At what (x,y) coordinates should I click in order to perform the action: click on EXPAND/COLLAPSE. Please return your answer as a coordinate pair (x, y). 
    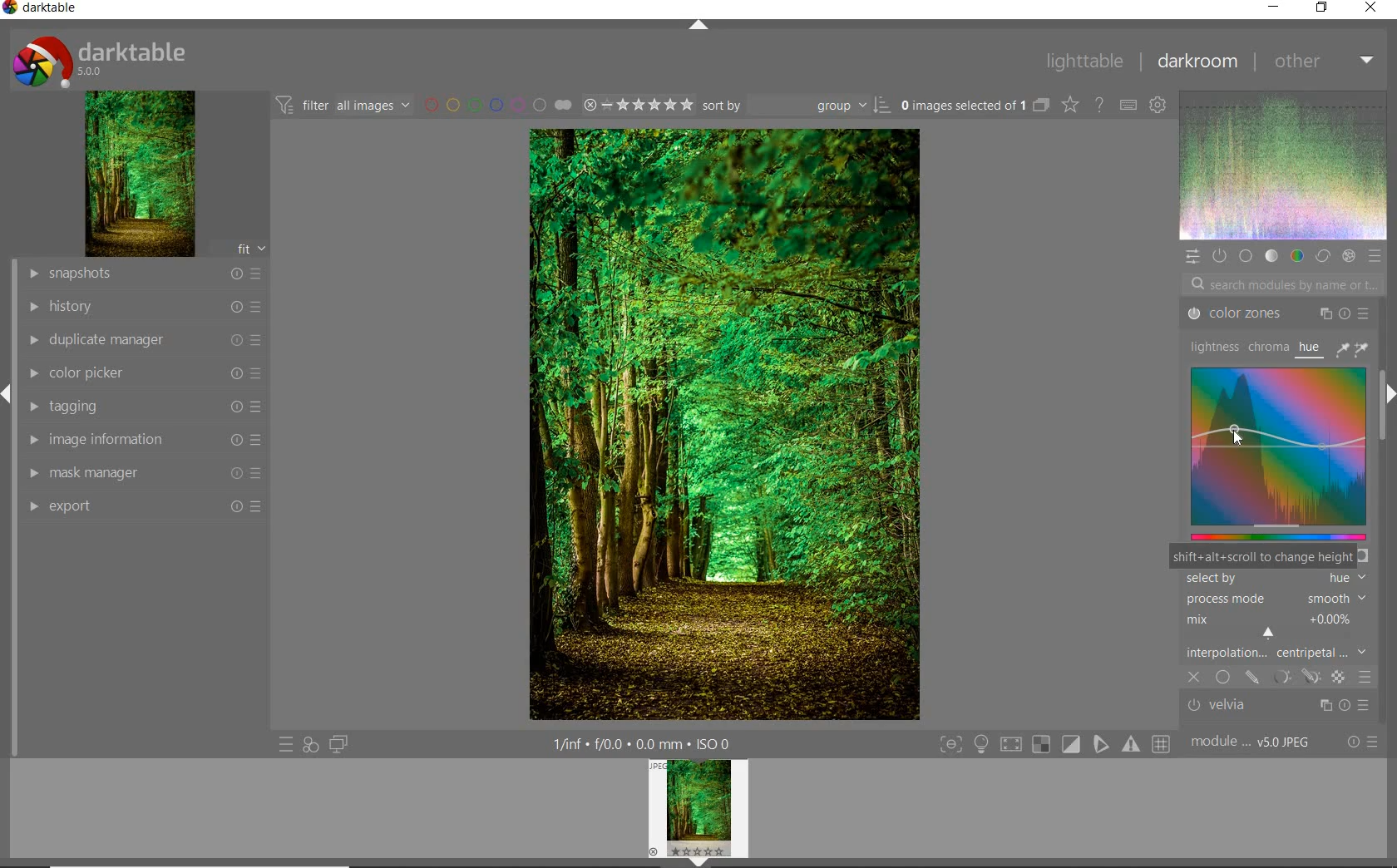
    Looking at the image, I should click on (697, 24).